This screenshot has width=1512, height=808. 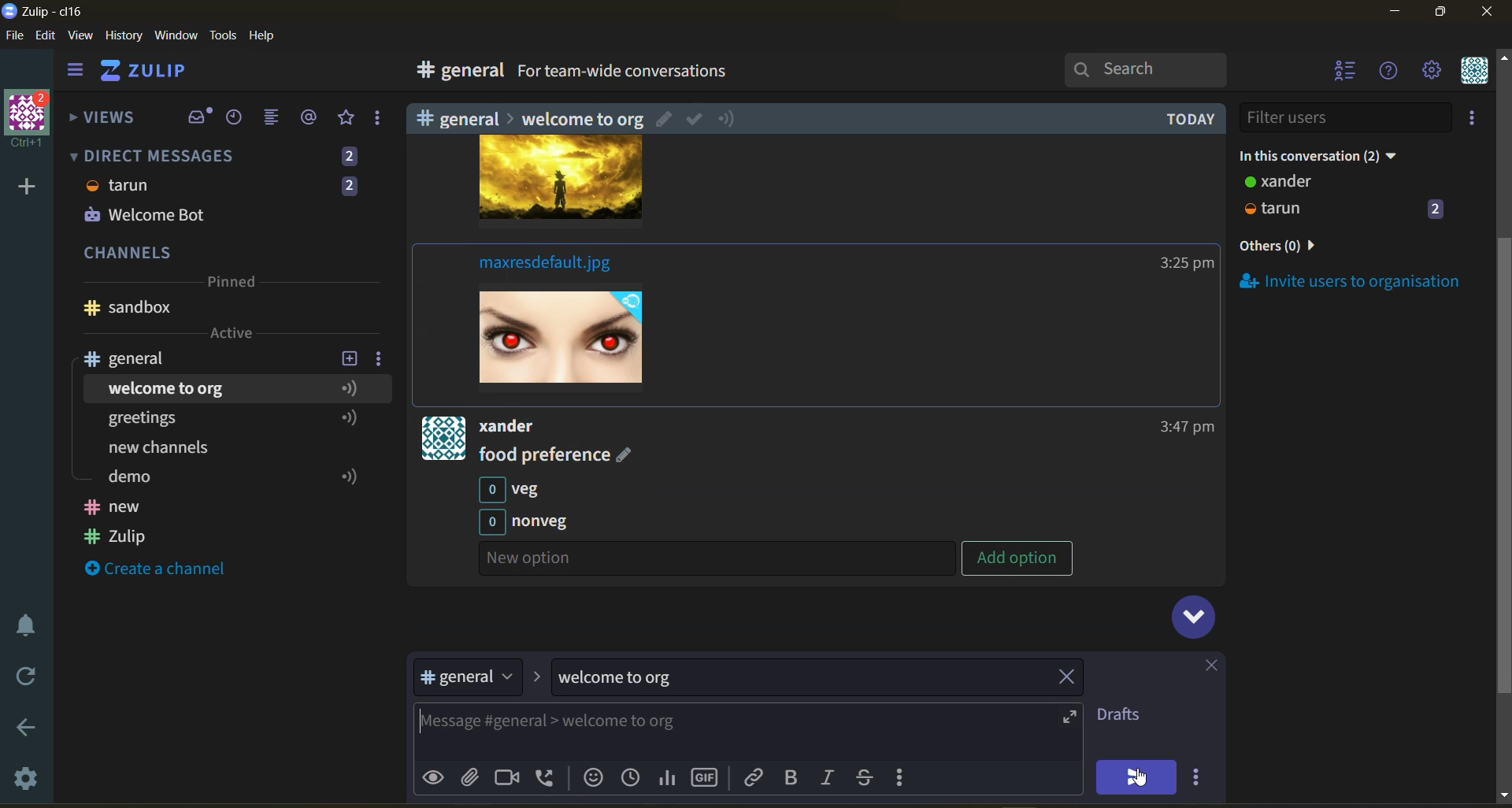 I want to click on drafts, so click(x=1121, y=715).